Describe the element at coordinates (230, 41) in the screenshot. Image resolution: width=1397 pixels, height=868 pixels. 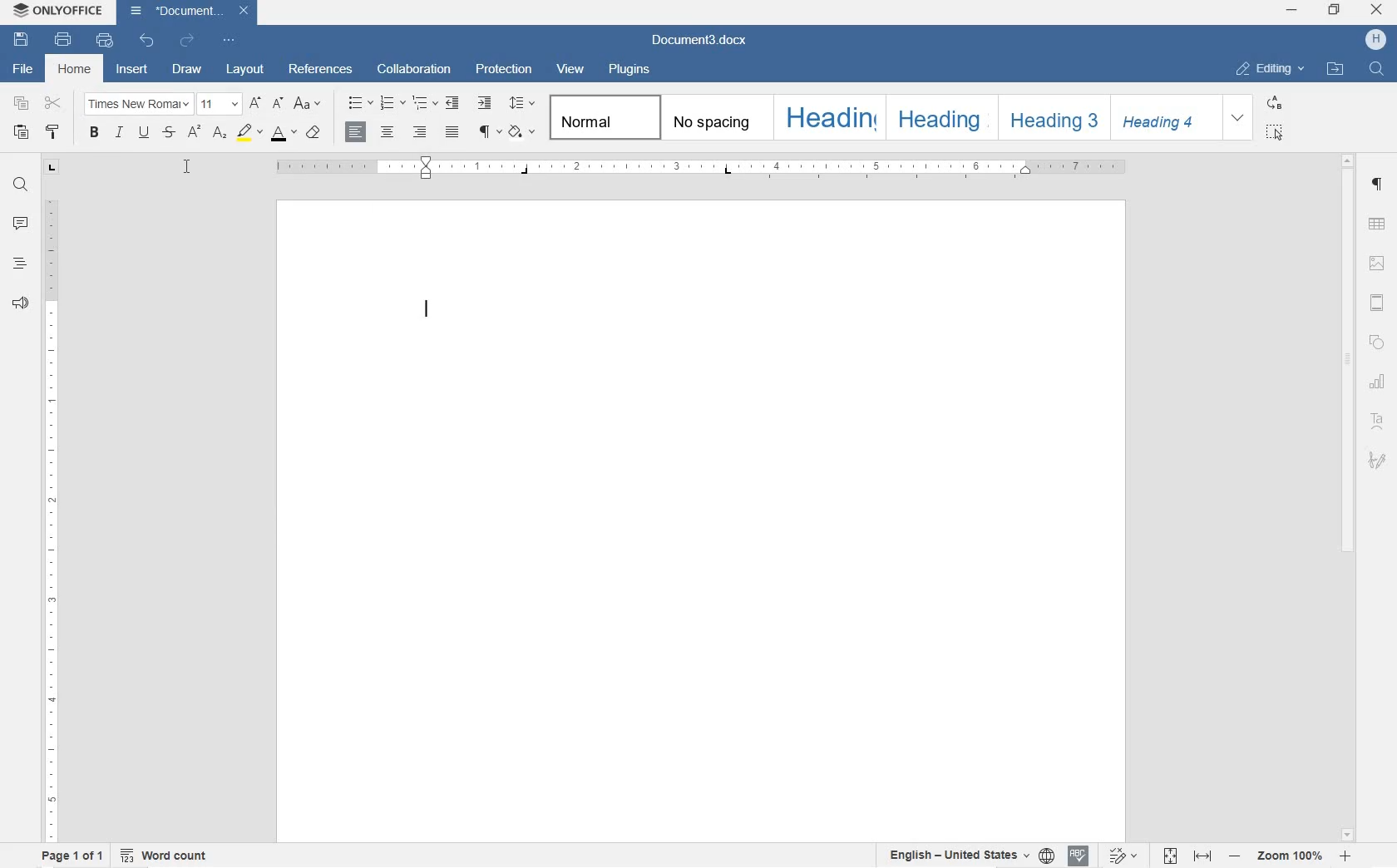
I see `CUSTOMIZE QUICK ACCESS TOOLBAR` at that location.